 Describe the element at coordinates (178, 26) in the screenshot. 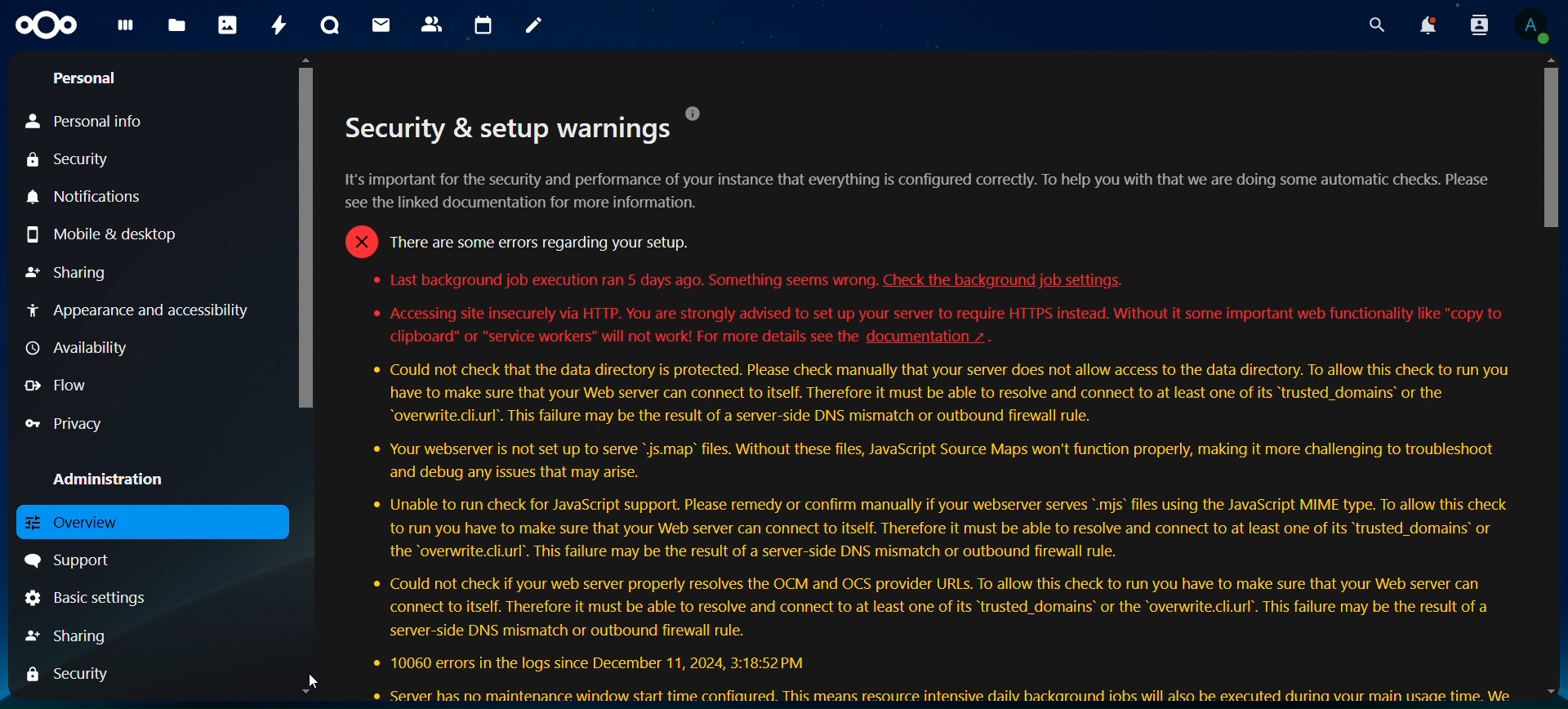

I see `files` at that location.